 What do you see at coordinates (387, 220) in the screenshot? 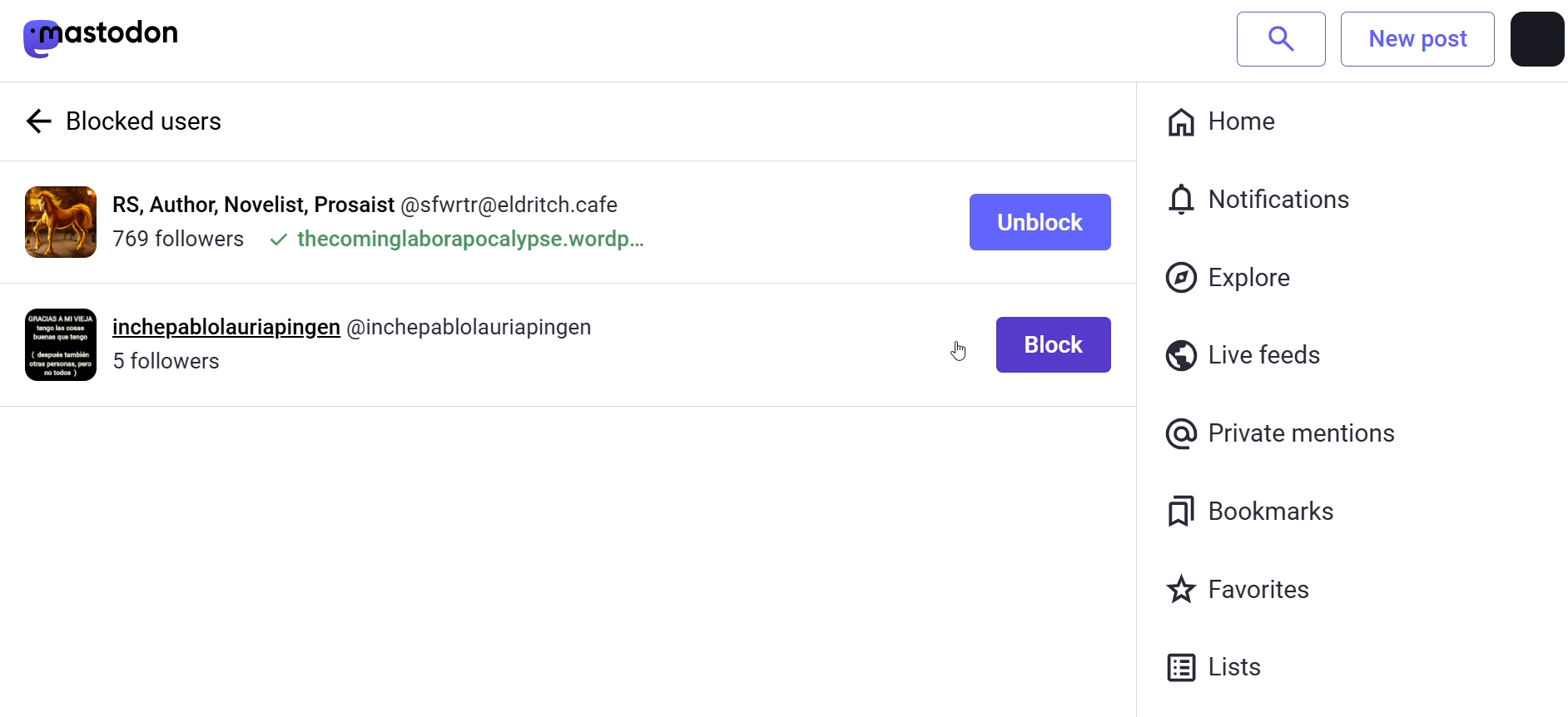
I see `RS, Author, Novelist, Prosaist @sfwrtr@eldritch.cafe
769 followers + thecominglaborapocalypse.wordp...` at bounding box center [387, 220].